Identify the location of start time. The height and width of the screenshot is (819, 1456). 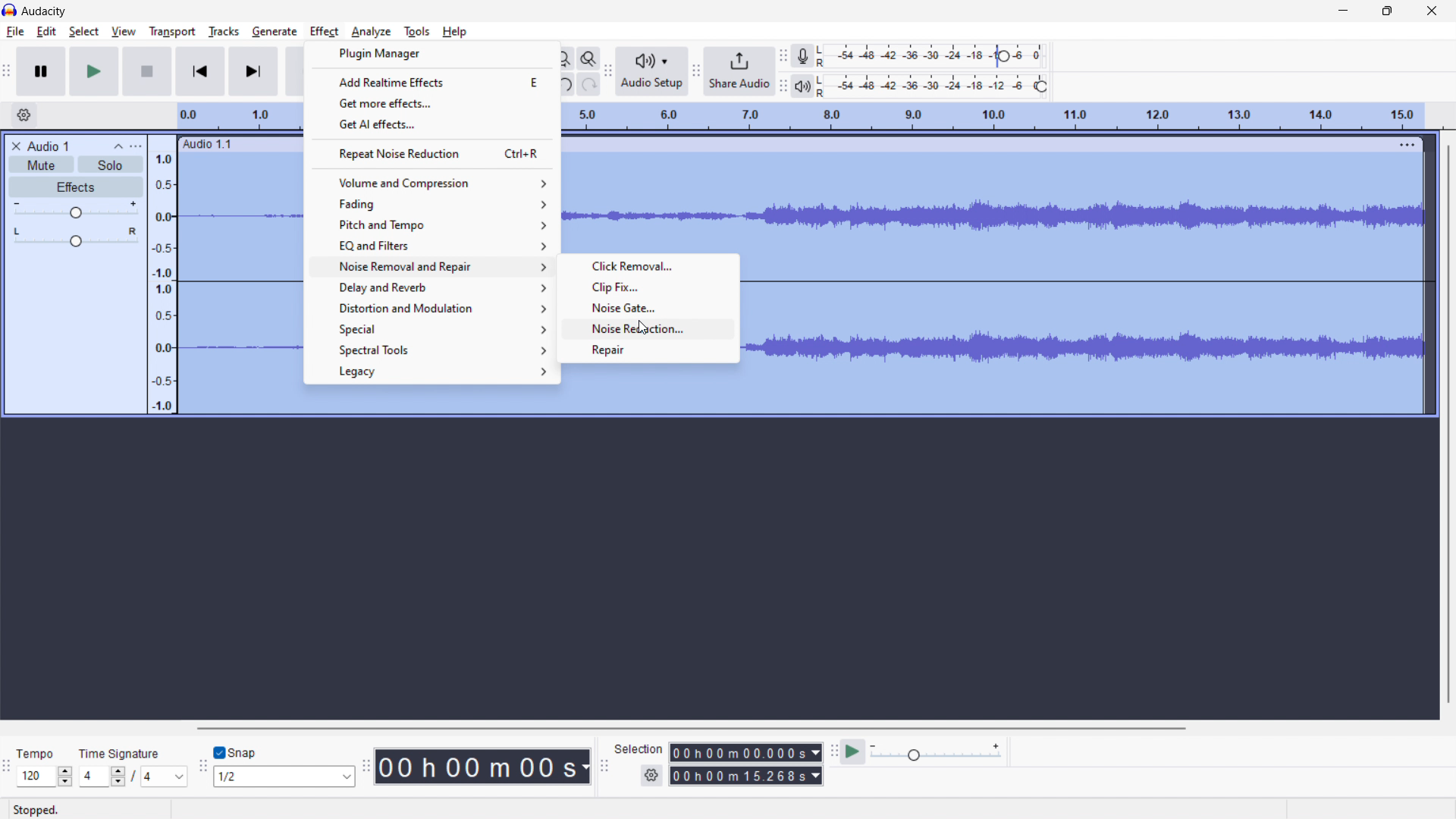
(746, 752).